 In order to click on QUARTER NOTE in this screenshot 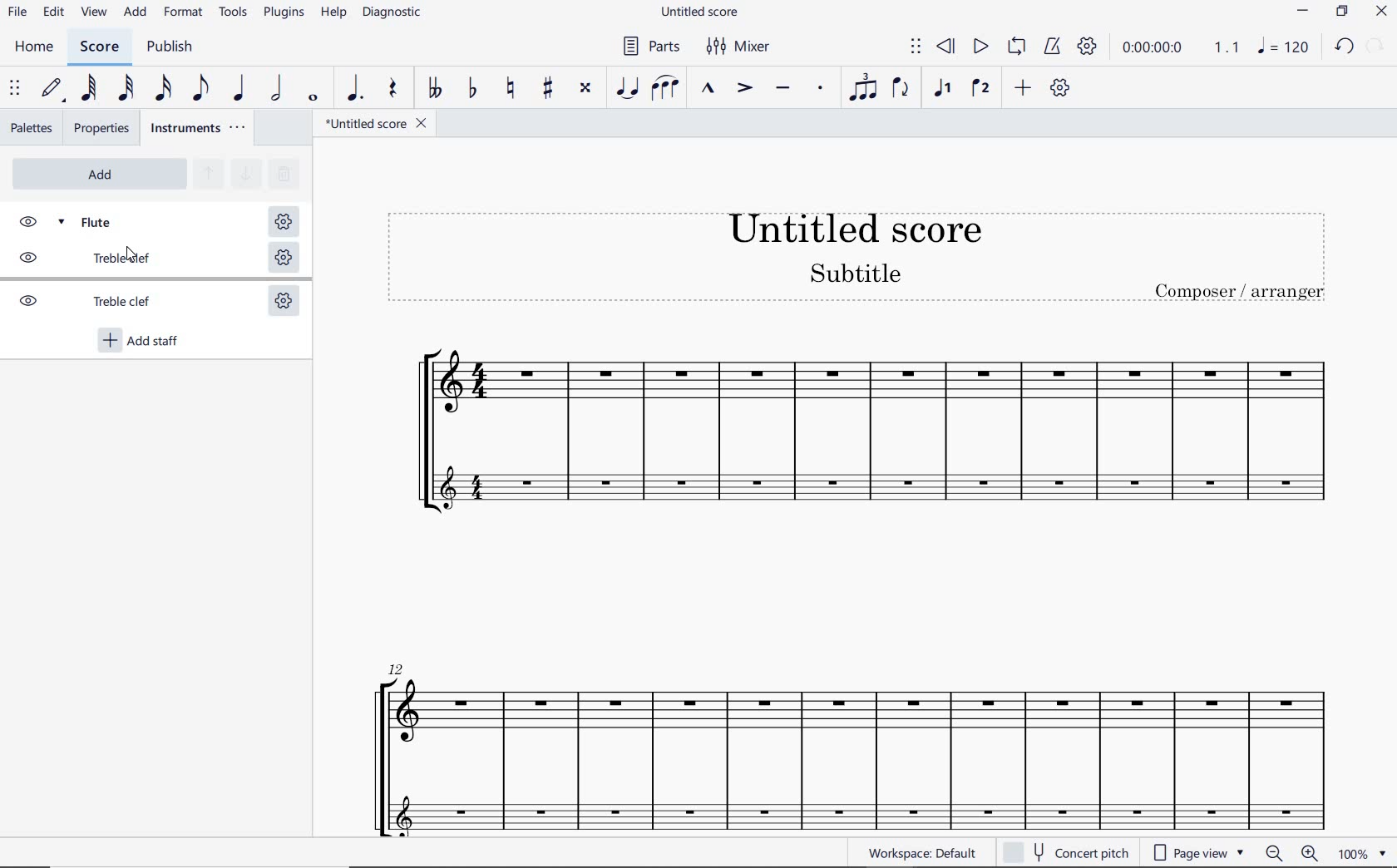, I will do `click(239, 89)`.